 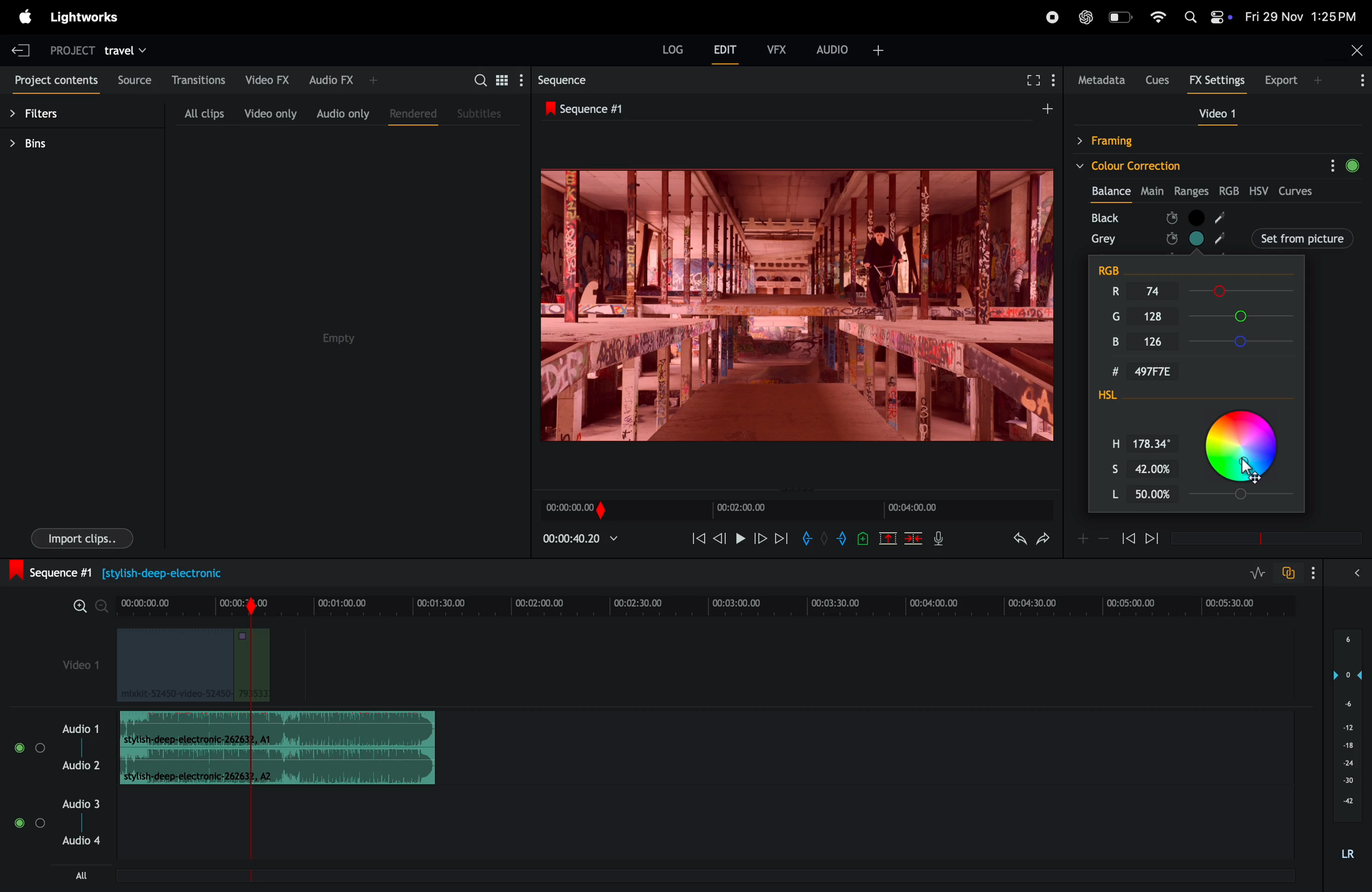 I want to click on video 1, so click(x=74, y=662).